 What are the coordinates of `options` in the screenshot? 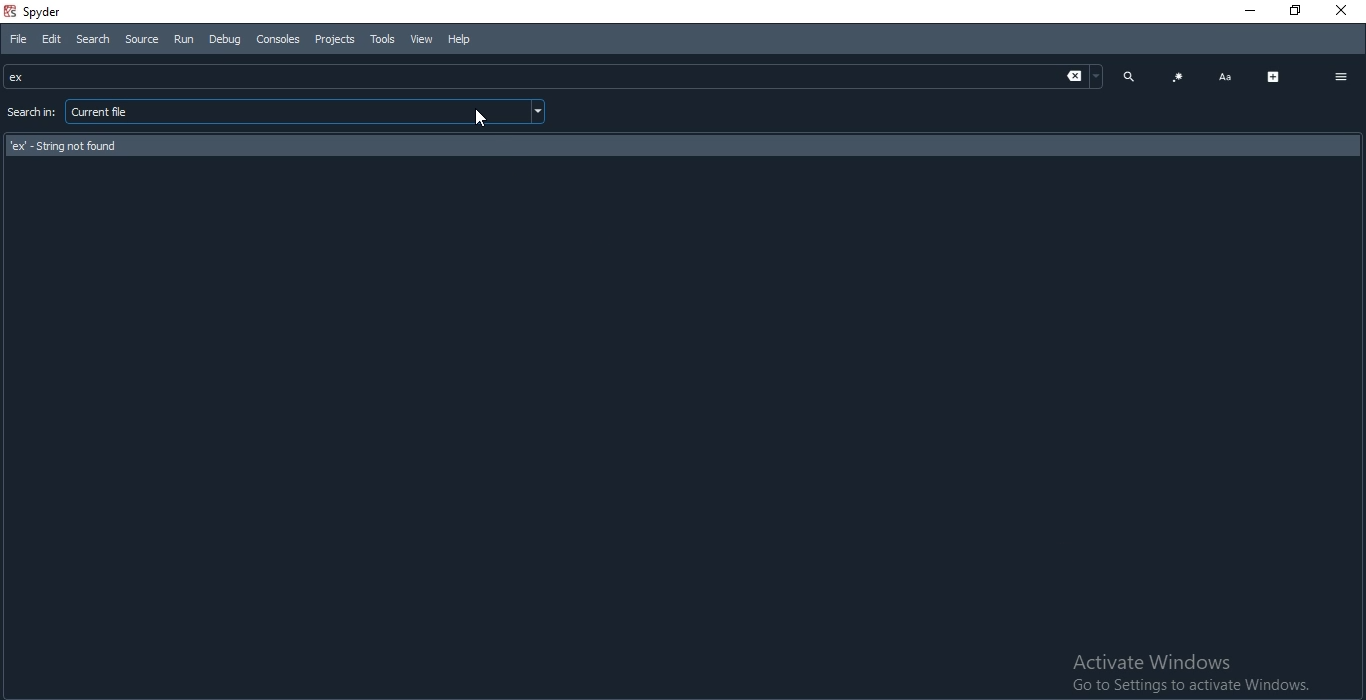 It's located at (1341, 78).